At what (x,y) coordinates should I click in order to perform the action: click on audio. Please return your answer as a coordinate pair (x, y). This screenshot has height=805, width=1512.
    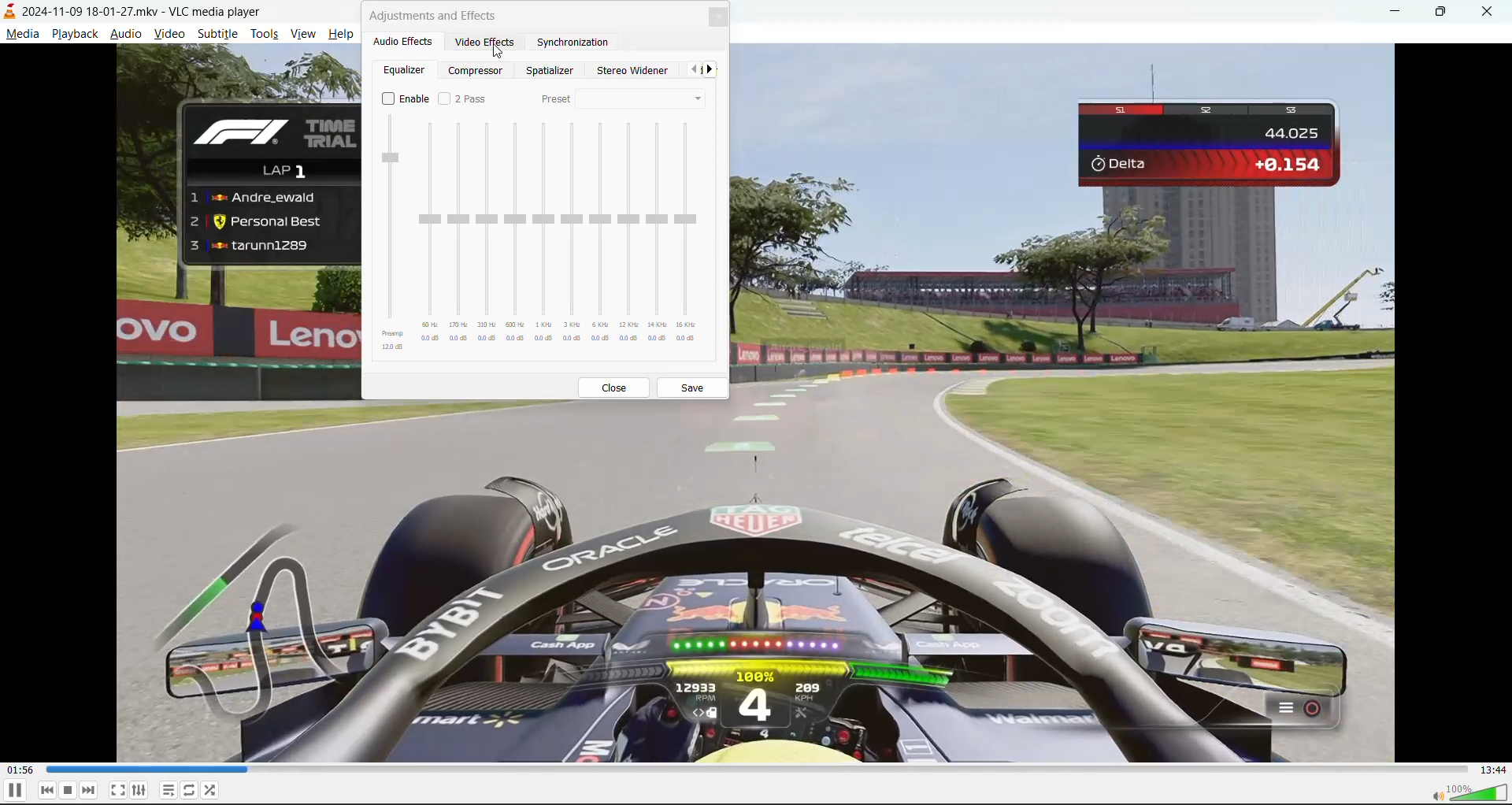
    Looking at the image, I should click on (125, 35).